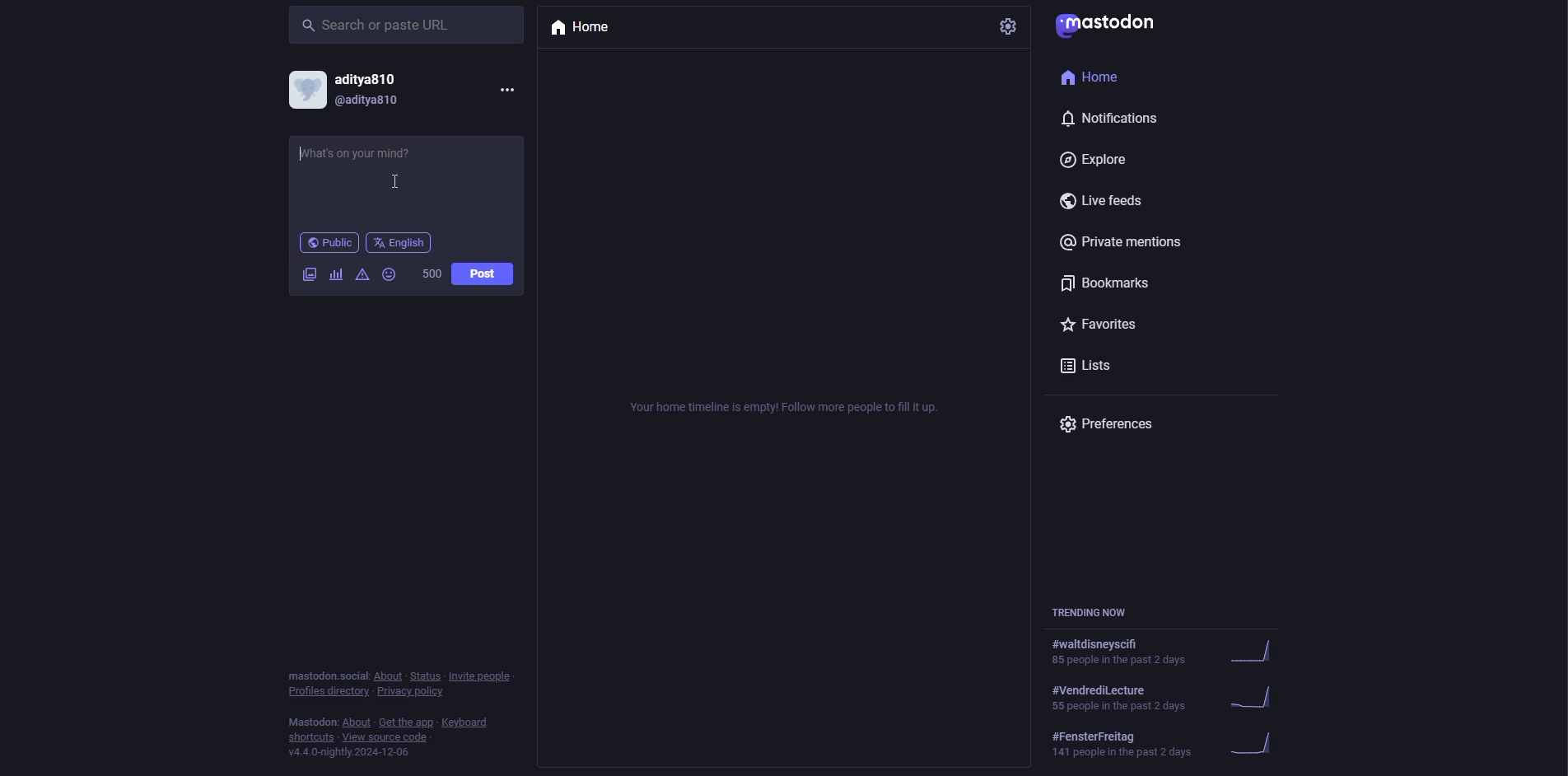  Describe the element at coordinates (1107, 285) in the screenshot. I see `bookmarks` at that location.